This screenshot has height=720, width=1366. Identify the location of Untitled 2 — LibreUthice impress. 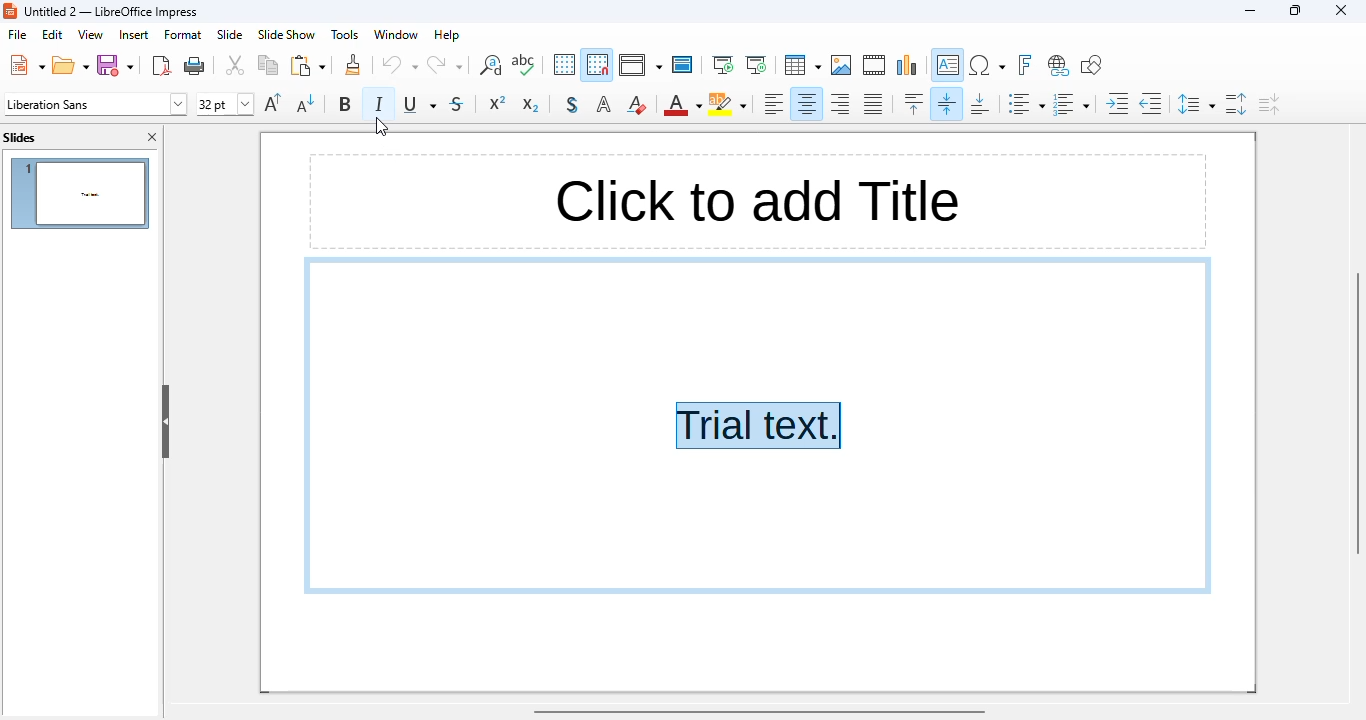
(121, 13).